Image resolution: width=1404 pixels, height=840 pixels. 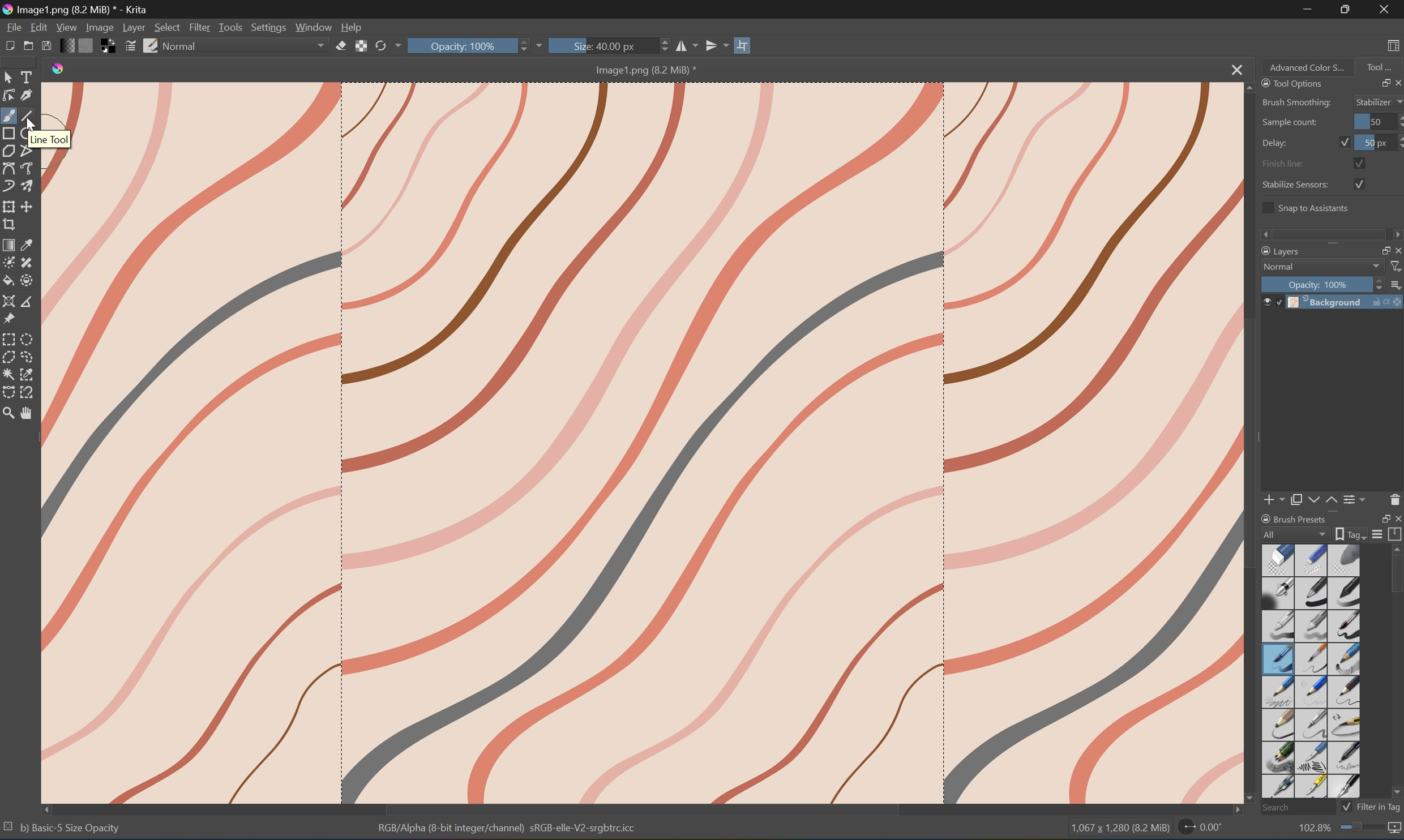 I want to click on Expand, so click(x=1337, y=246).